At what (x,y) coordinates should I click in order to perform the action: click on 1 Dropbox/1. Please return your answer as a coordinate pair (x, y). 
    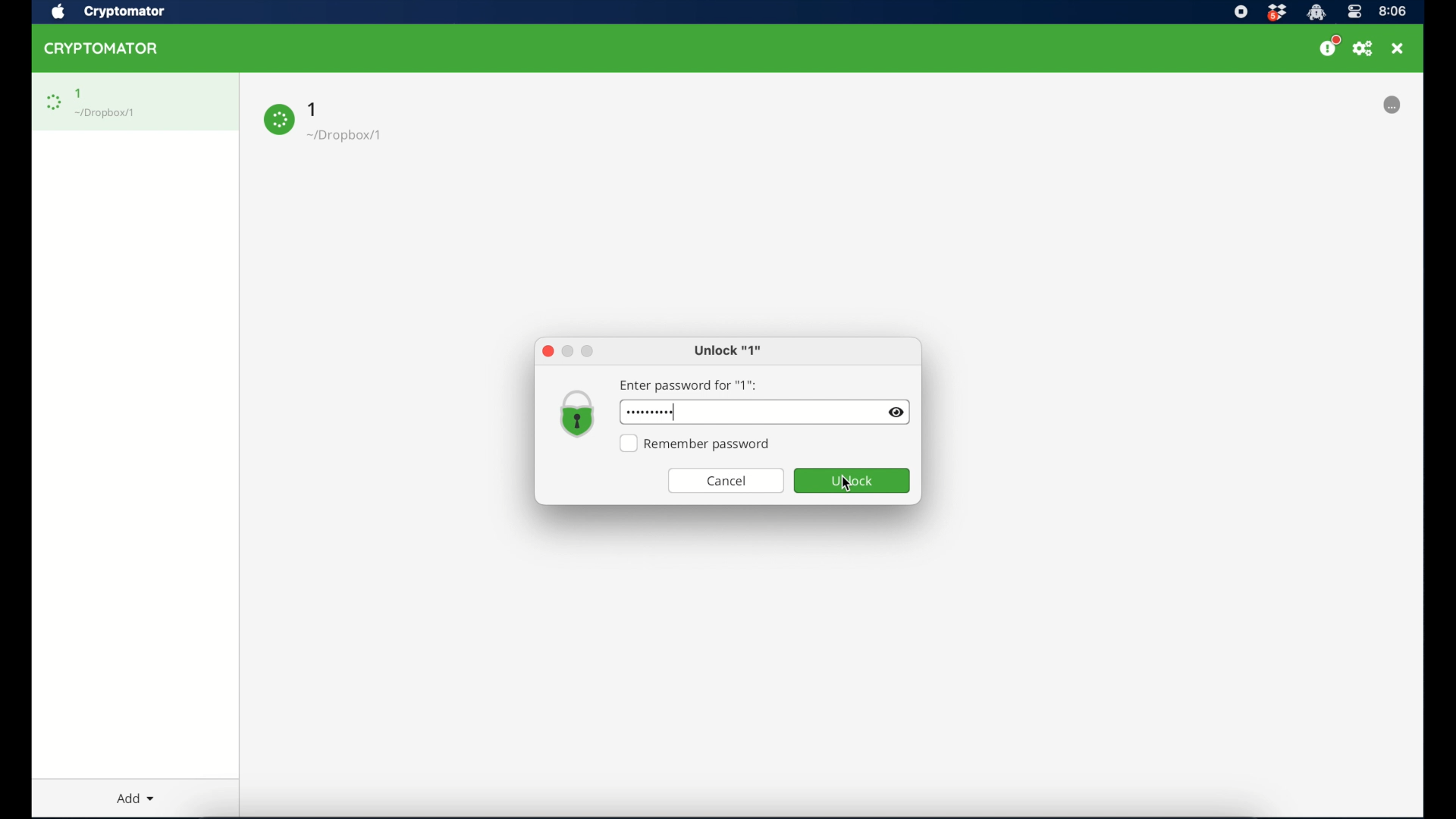
    Looking at the image, I should click on (370, 124).